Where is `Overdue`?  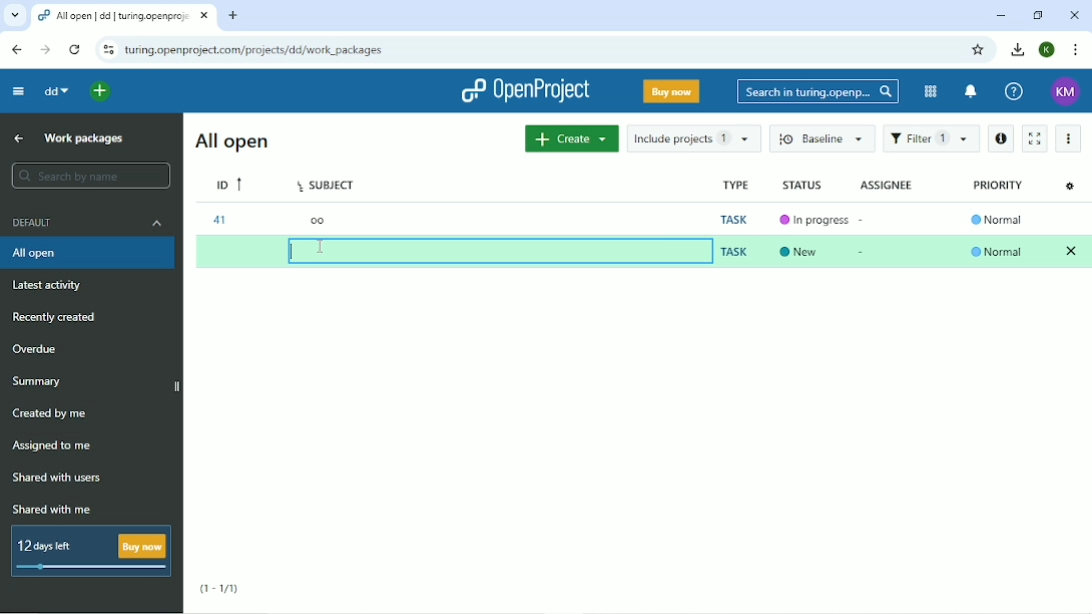 Overdue is located at coordinates (34, 347).